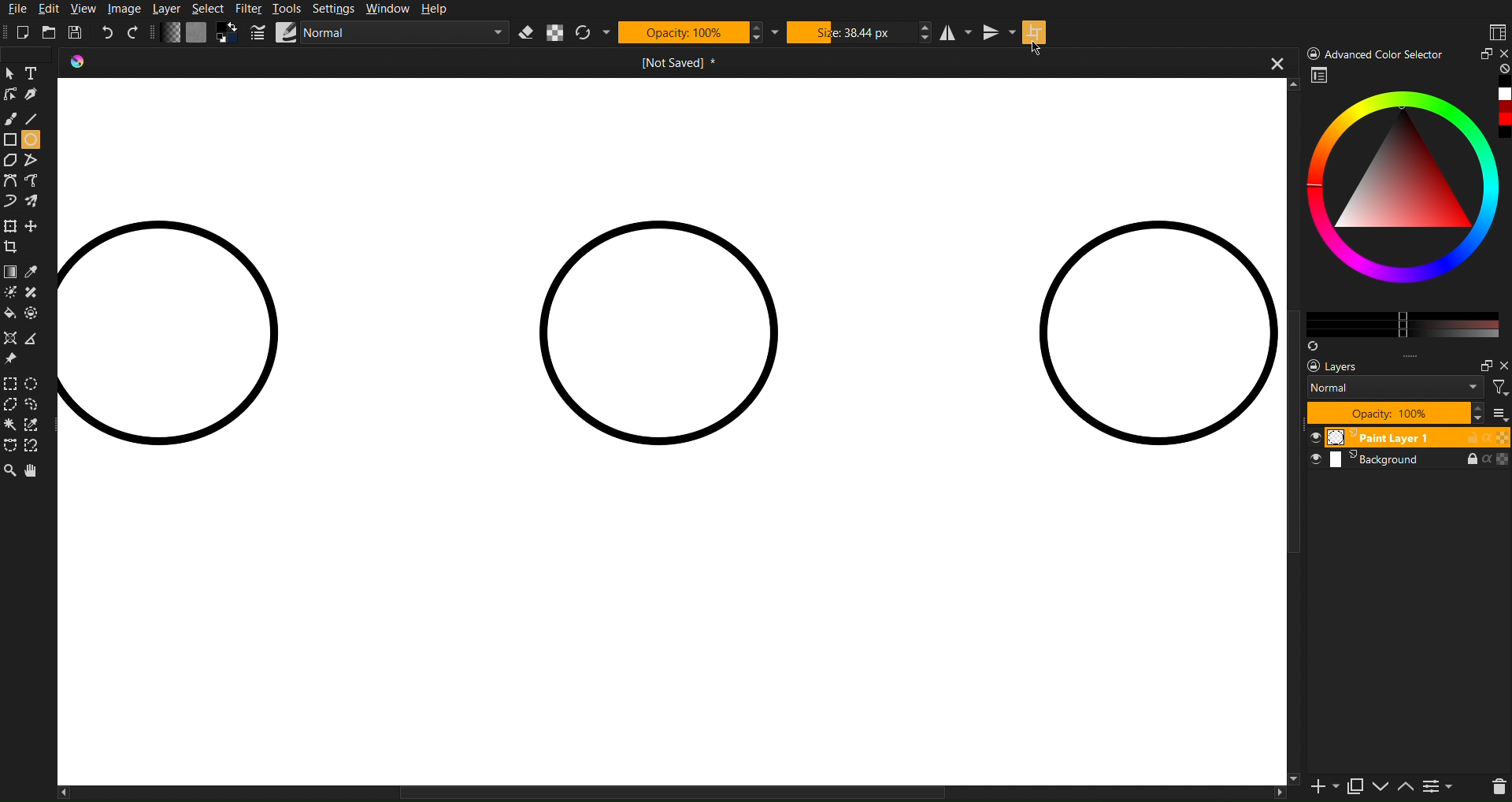 This screenshot has height=802, width=1512. I want to click on down, so click(1379, 789).